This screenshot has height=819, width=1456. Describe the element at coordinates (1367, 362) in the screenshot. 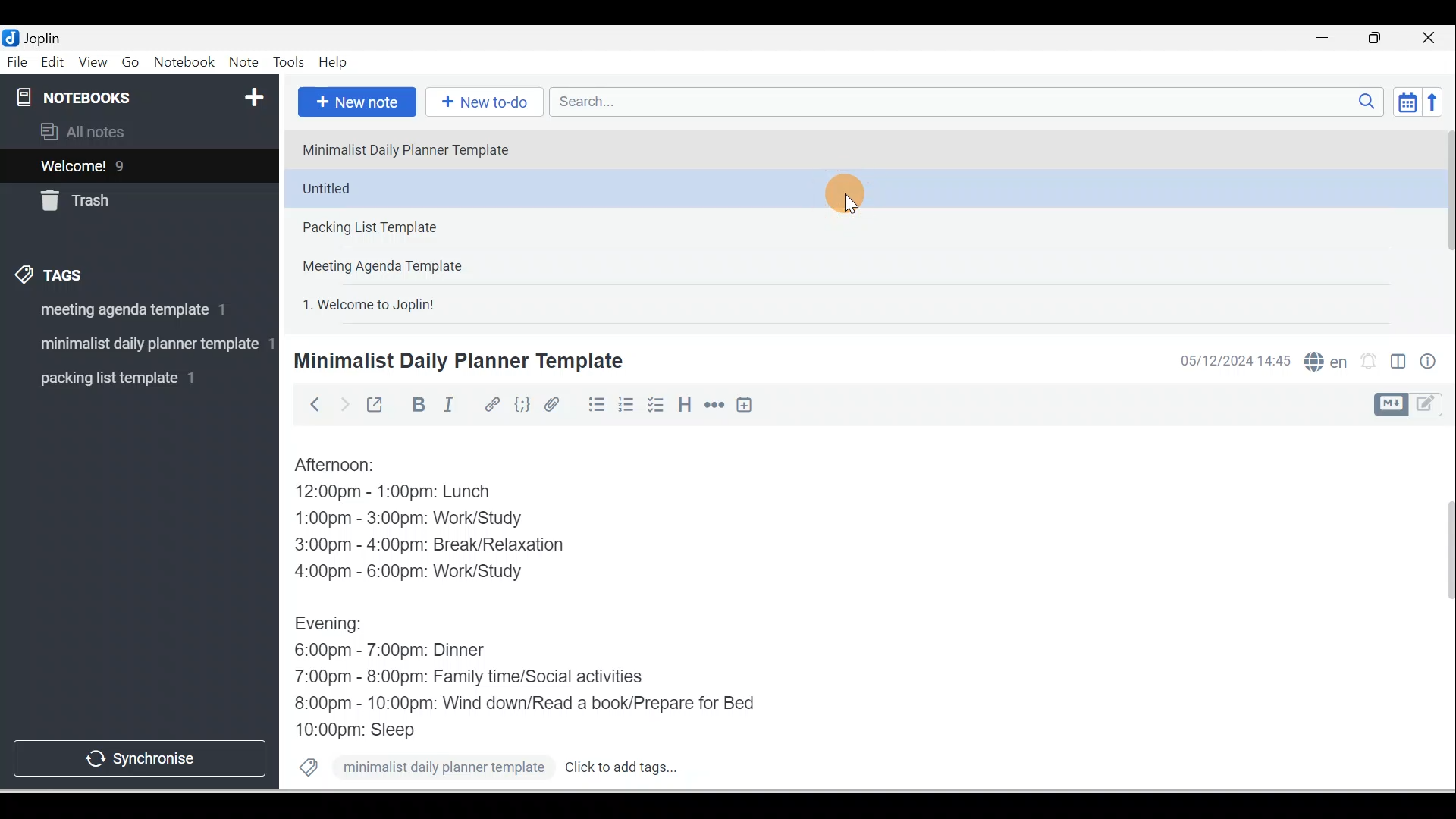

I see `Set alarm` at that location.